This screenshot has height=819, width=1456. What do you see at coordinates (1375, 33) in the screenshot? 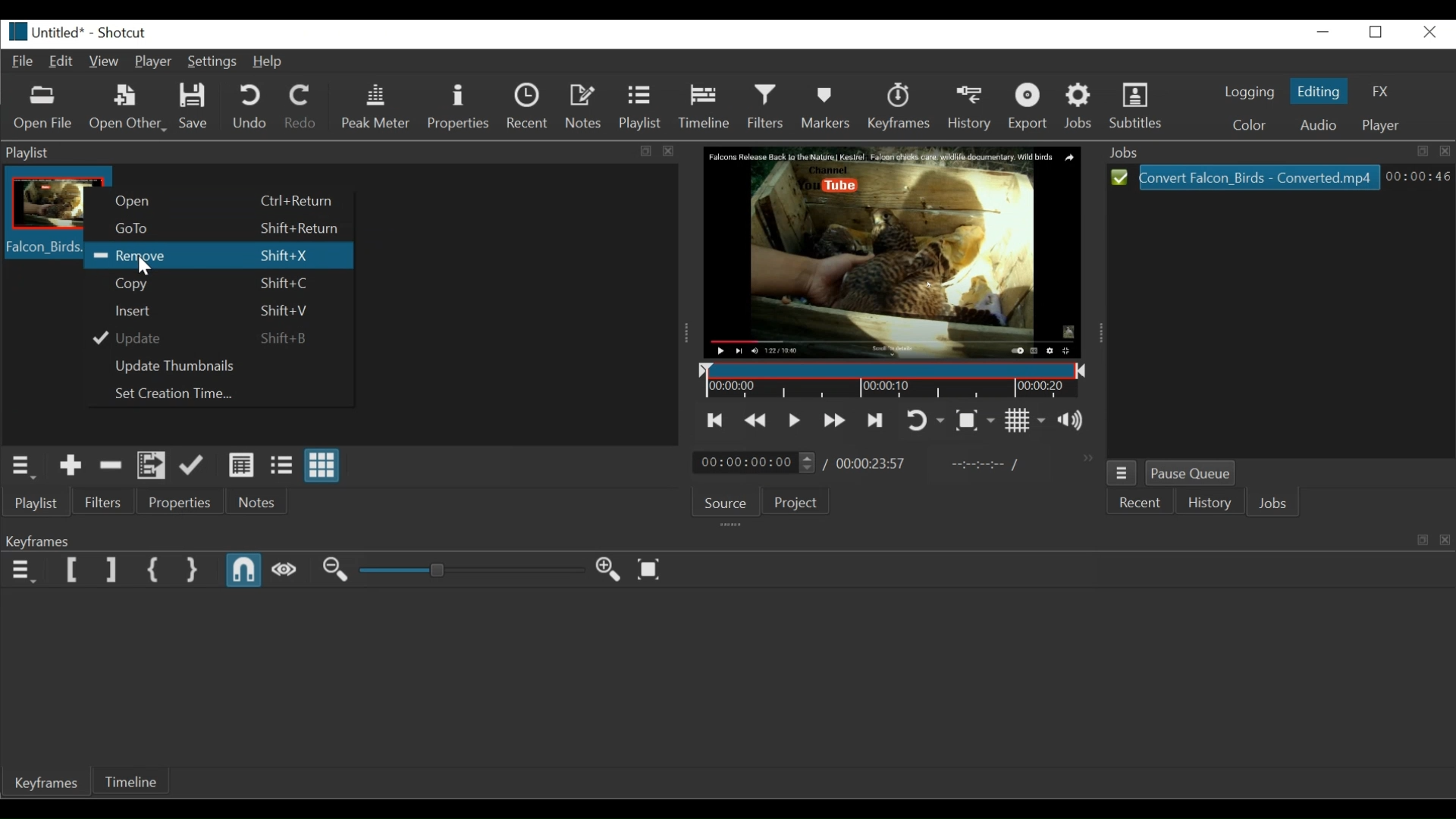
I see `Restore` at bounding box center [1375, 33].